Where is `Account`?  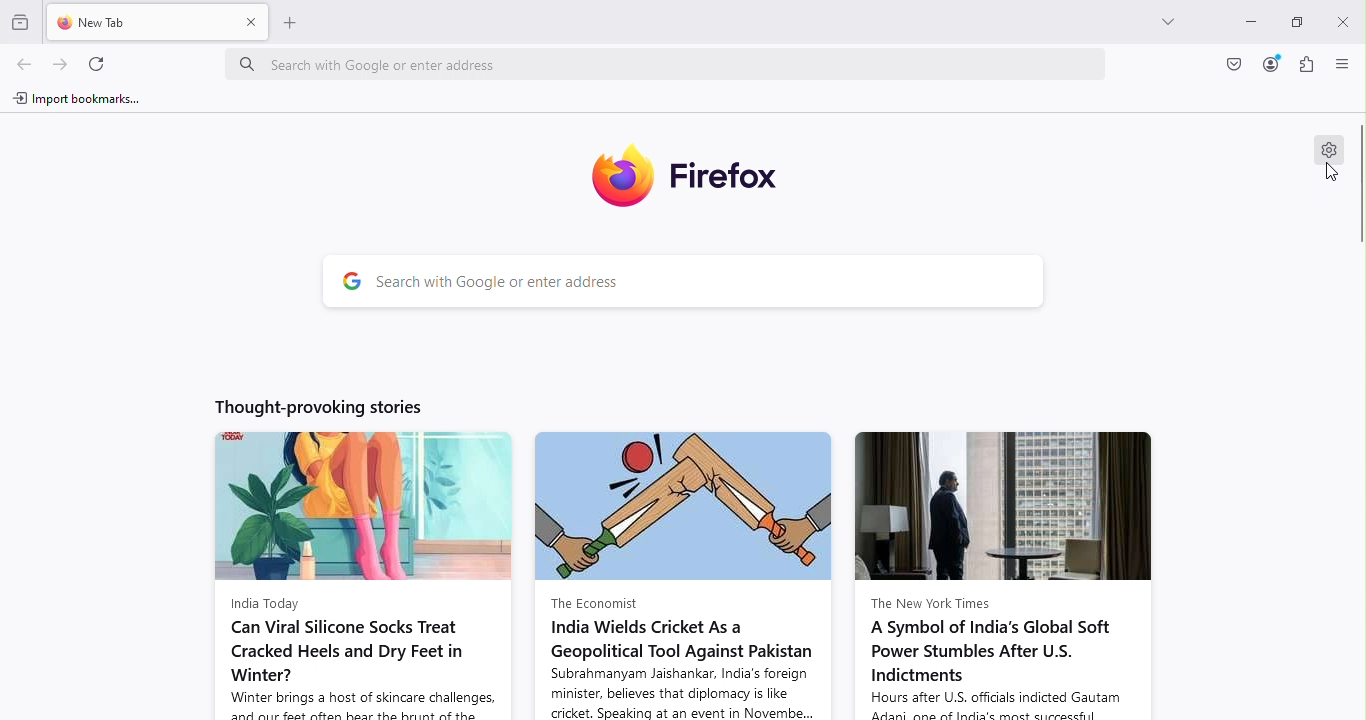
Account is located at coordinates (1271, 64).